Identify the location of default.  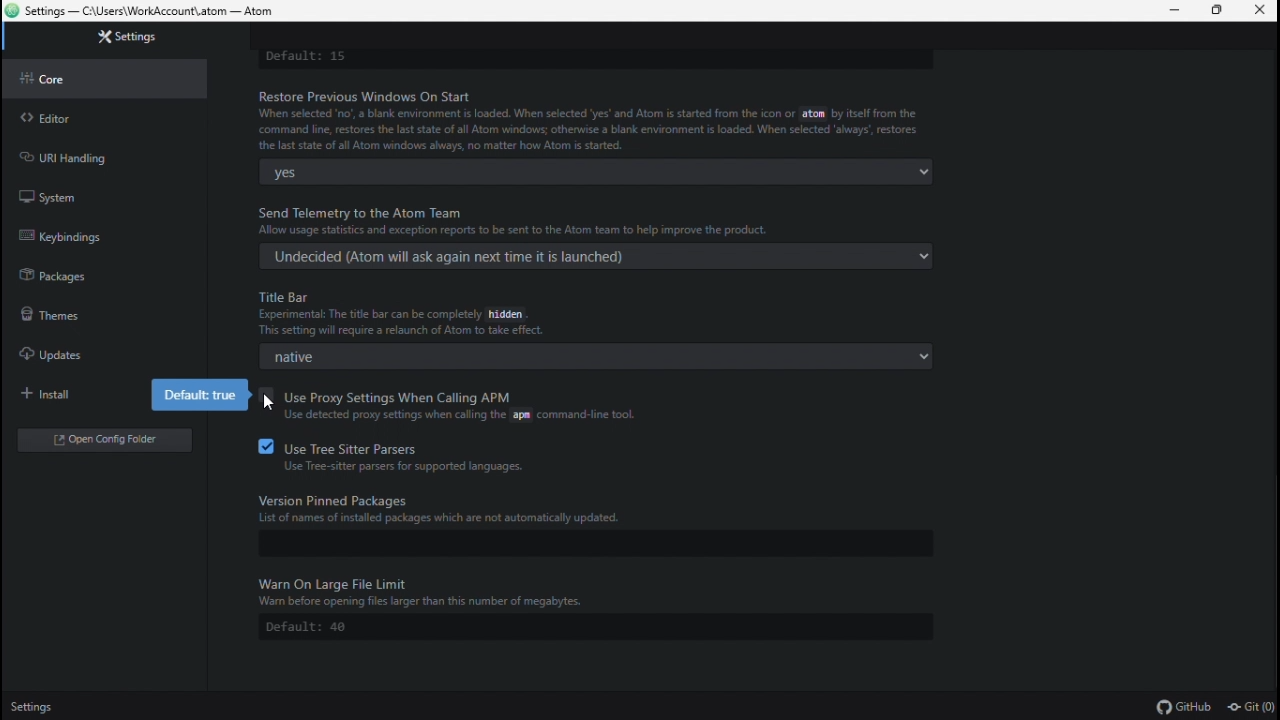
(581, 627).